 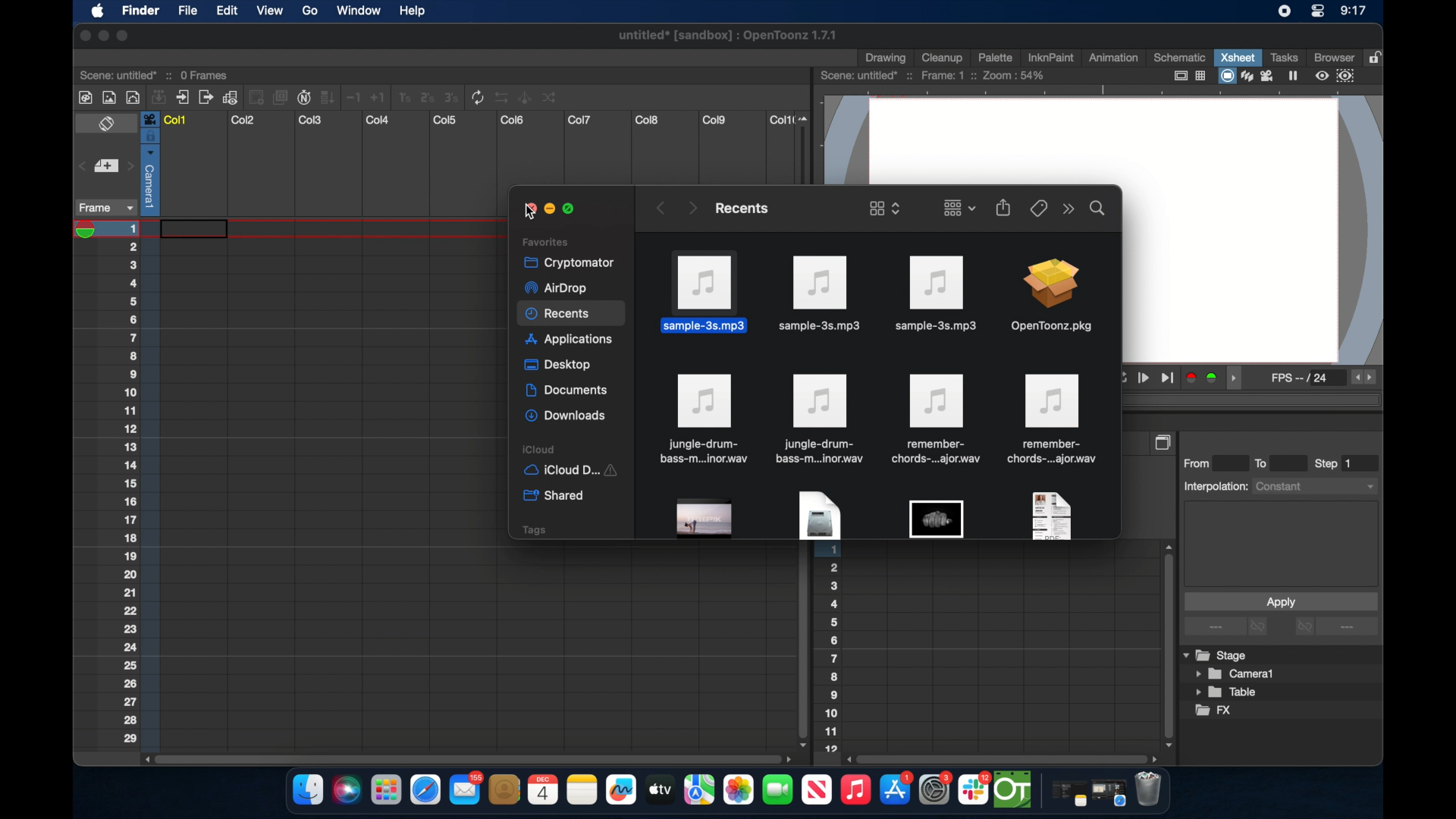 I want to click on table, so click(x=1227, y=693).